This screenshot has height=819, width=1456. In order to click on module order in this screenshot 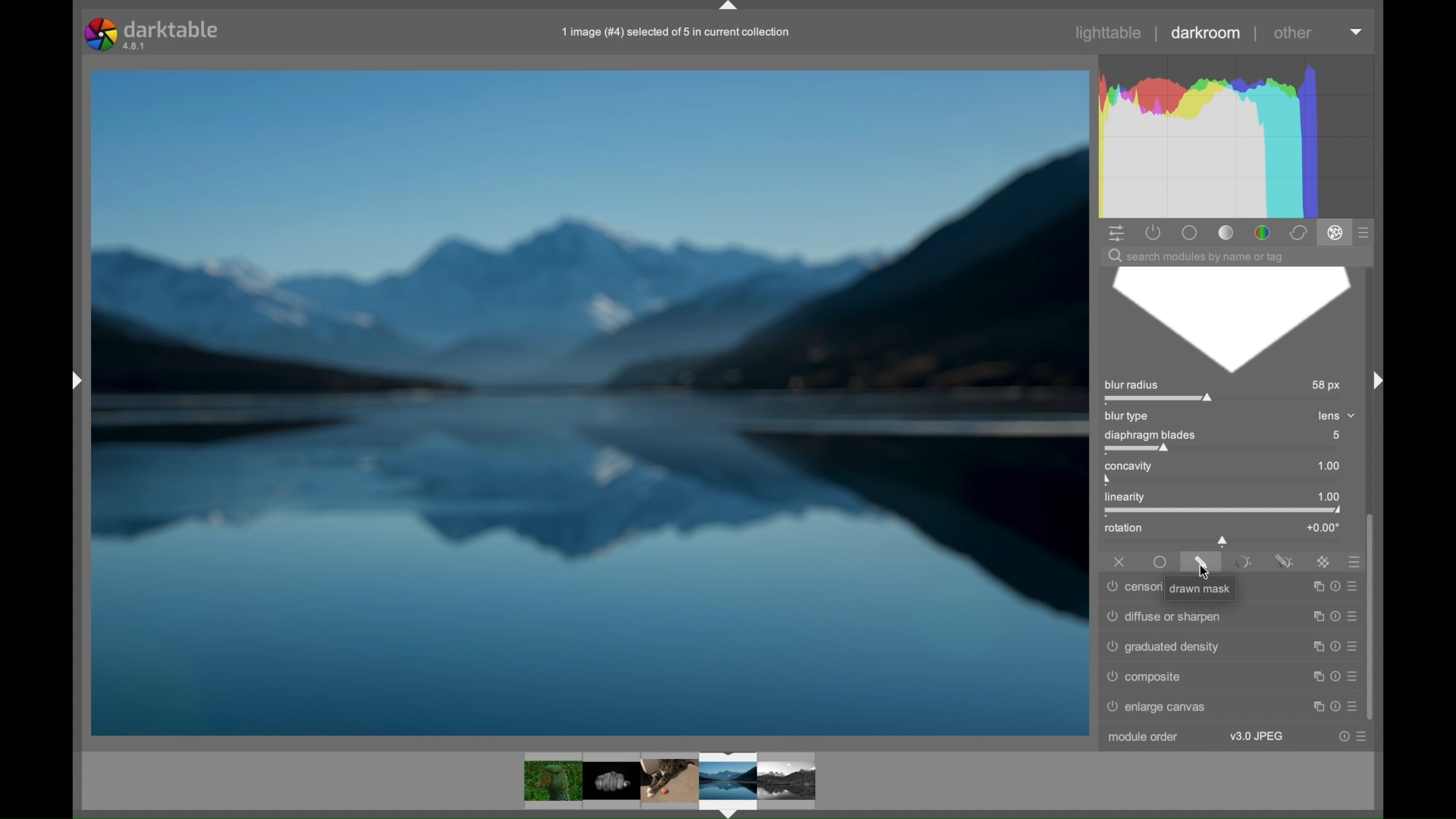, I will do `click(1142, 737)`.